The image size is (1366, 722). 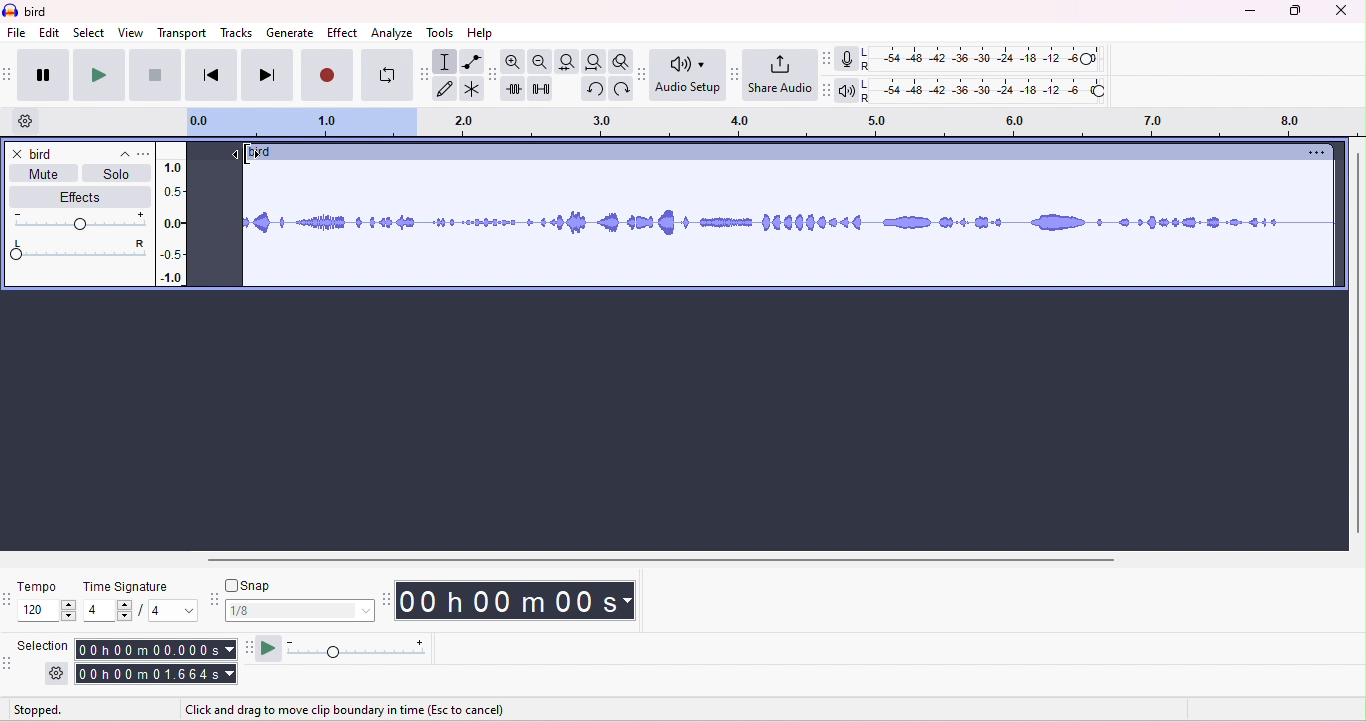 I want to click on pan, so click(x=79, y=250).